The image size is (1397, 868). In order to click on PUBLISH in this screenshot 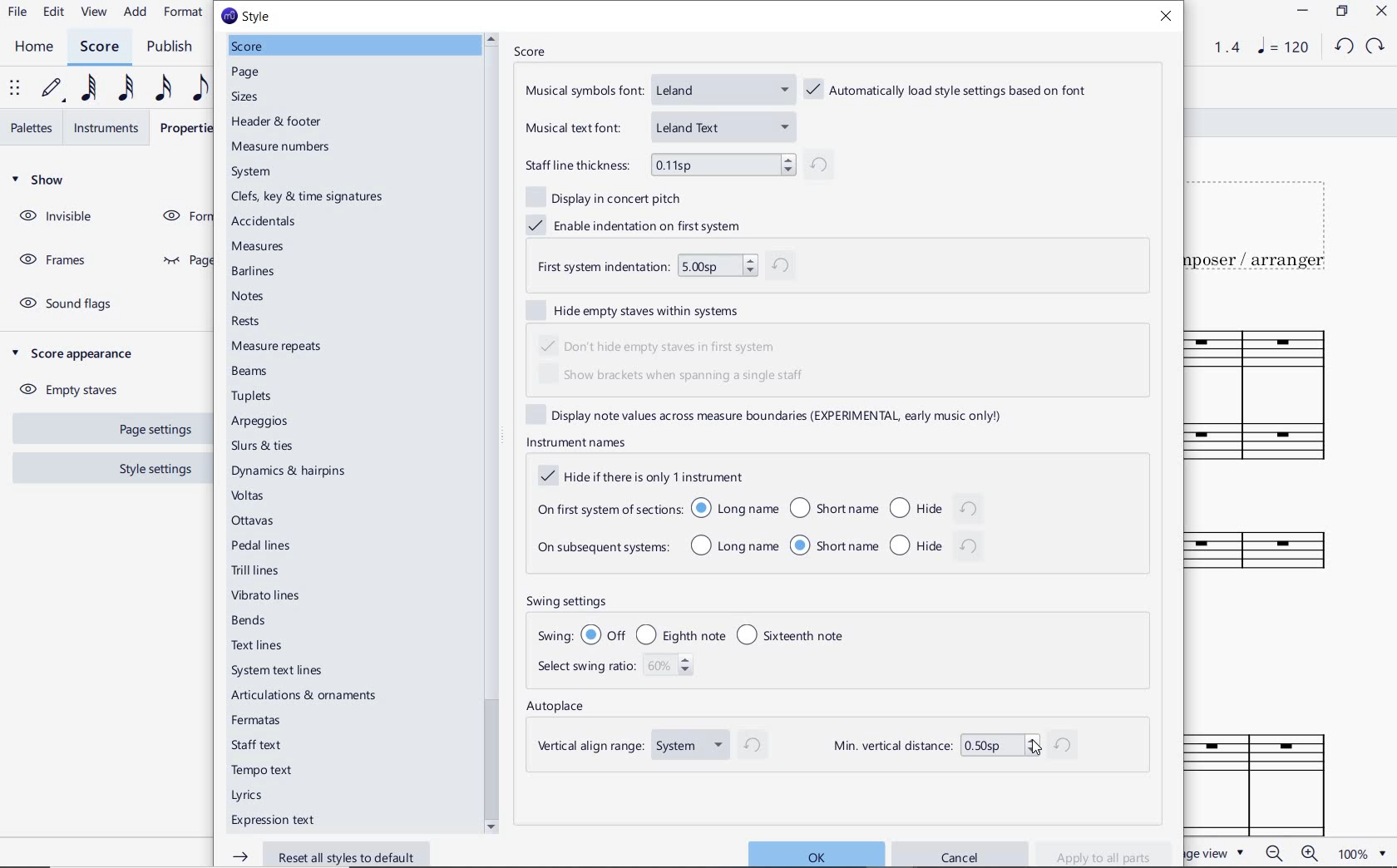, I will do `click(170, 47)`.